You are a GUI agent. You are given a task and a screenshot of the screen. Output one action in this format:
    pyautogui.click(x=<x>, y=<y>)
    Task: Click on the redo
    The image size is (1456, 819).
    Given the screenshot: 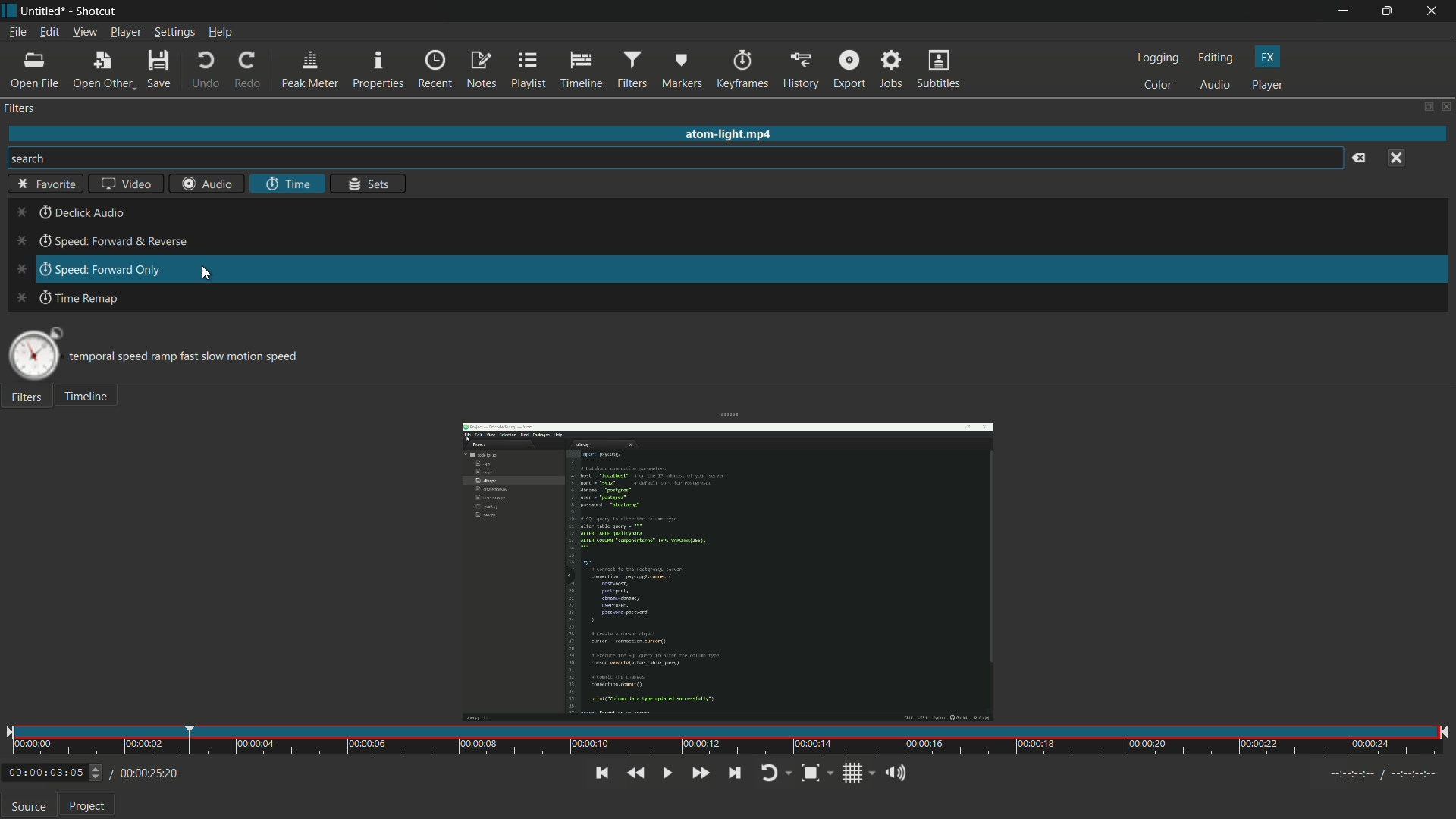 What is the action you would take?
    pyautogui.click(x=246, y=71)
    